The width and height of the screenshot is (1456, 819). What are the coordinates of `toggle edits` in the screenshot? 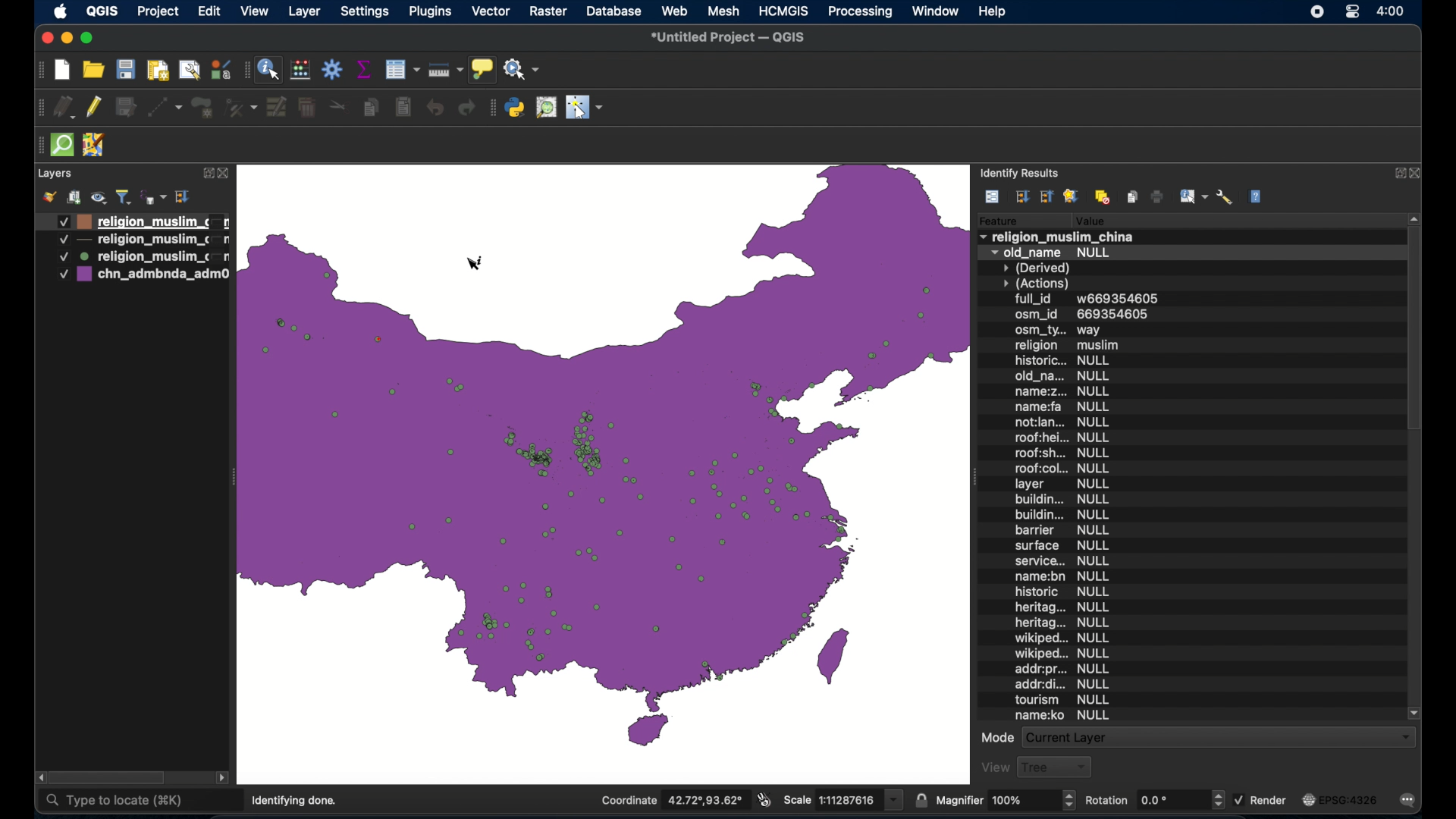 It's located at (93, 106).